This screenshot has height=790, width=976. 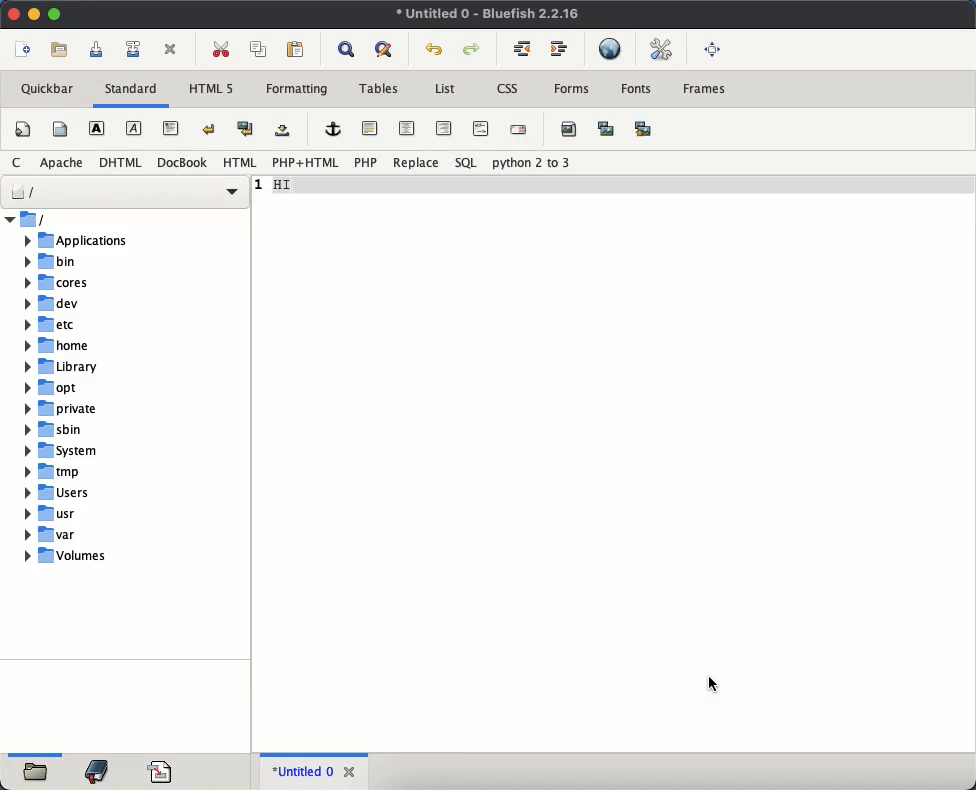 What do you see at coordinates (105, 559) in the screenshot?
I see `volumes` at bounding box center [105, 559].